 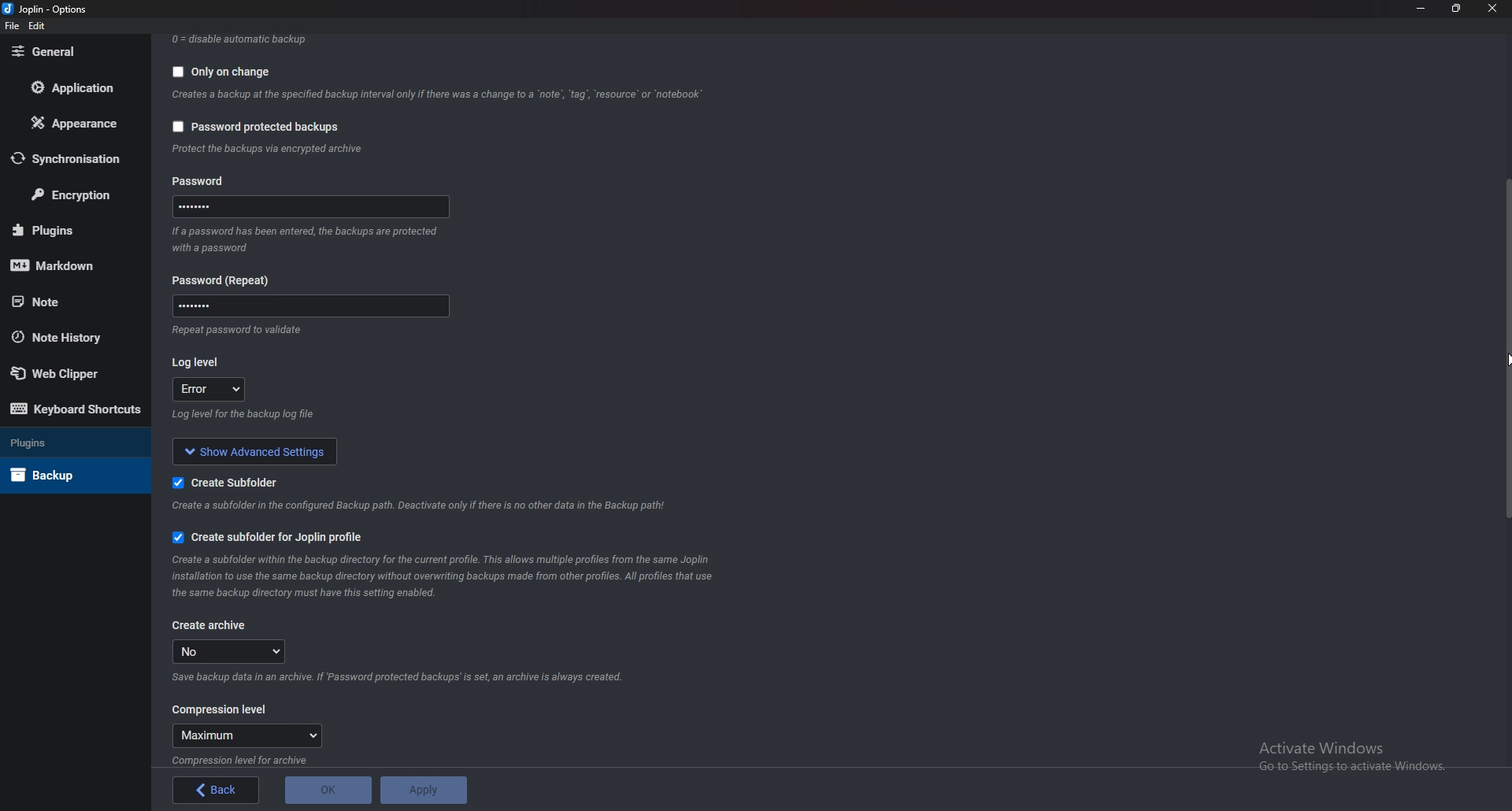 I want to click on Info backup on change, so click(x=439, y=95).